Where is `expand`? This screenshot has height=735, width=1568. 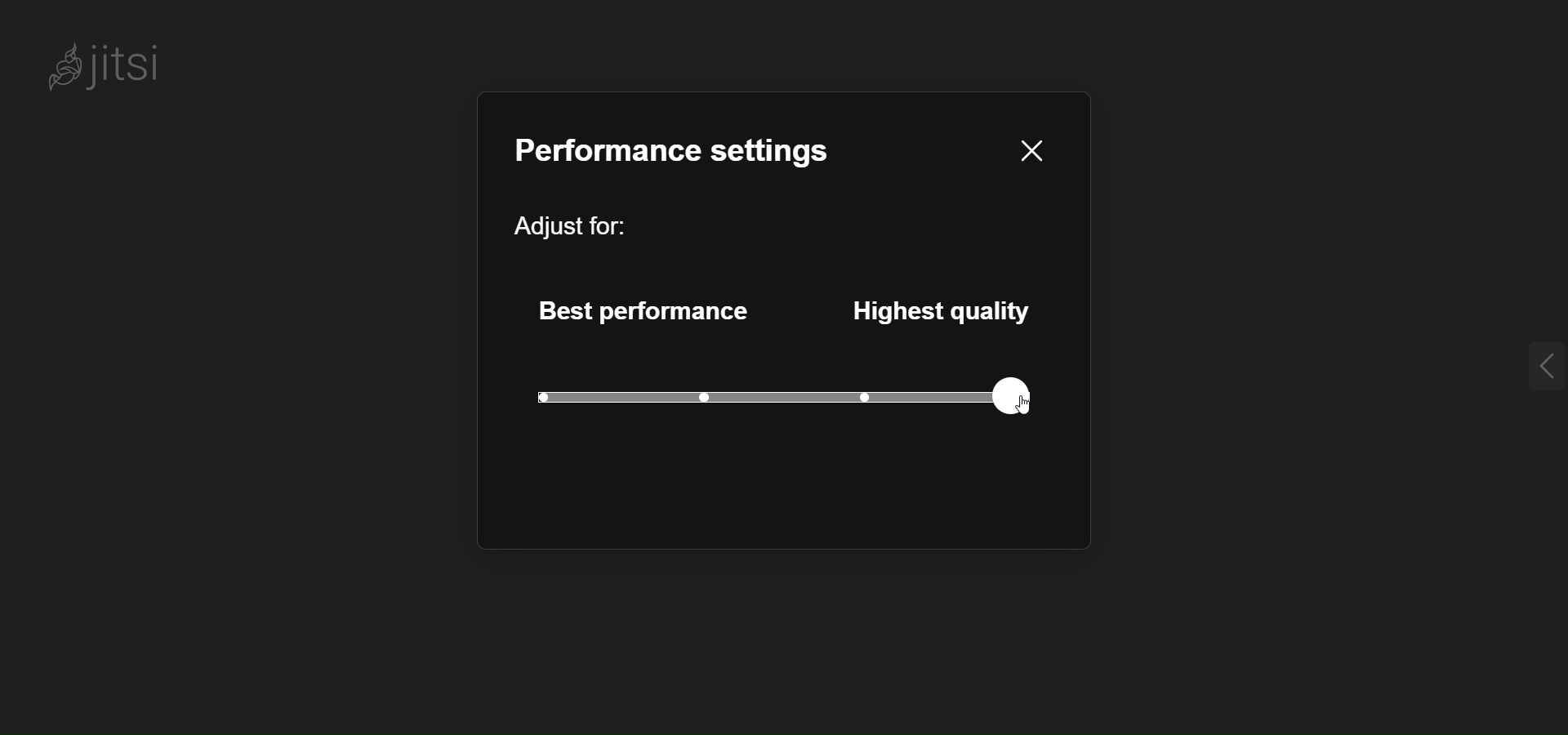
expand is located at coordinates (1542, 365).